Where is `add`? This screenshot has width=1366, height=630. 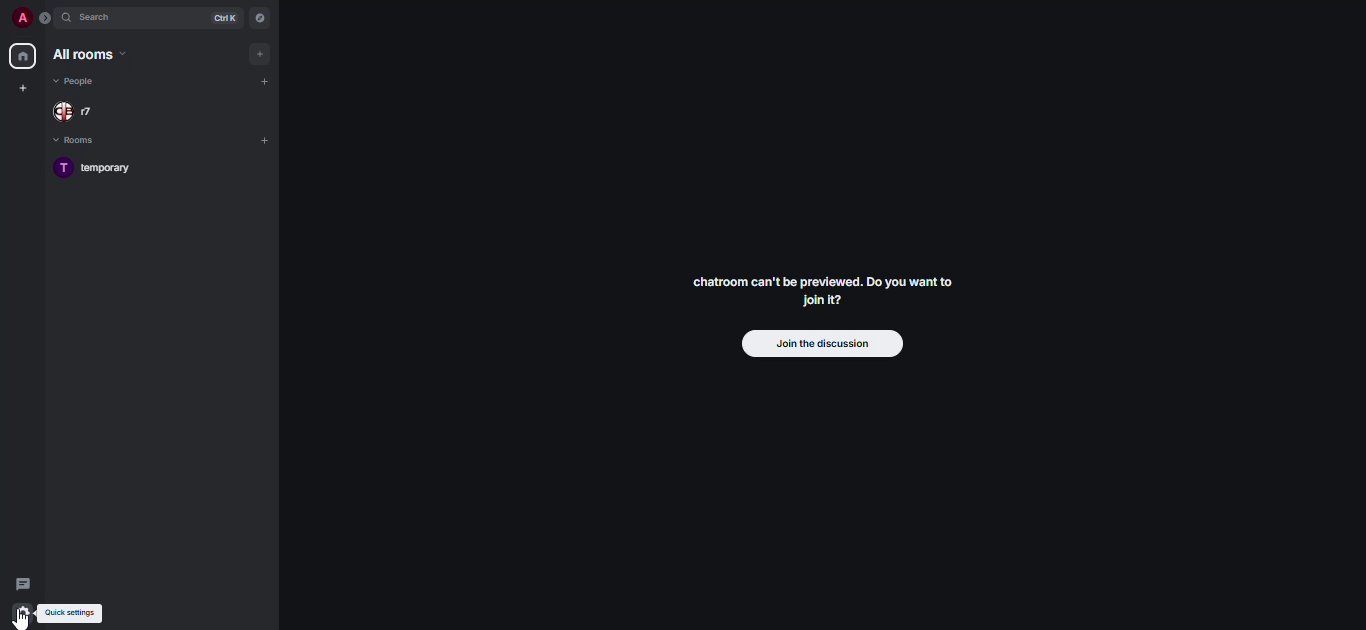 add is located at coordinates (262, 53).